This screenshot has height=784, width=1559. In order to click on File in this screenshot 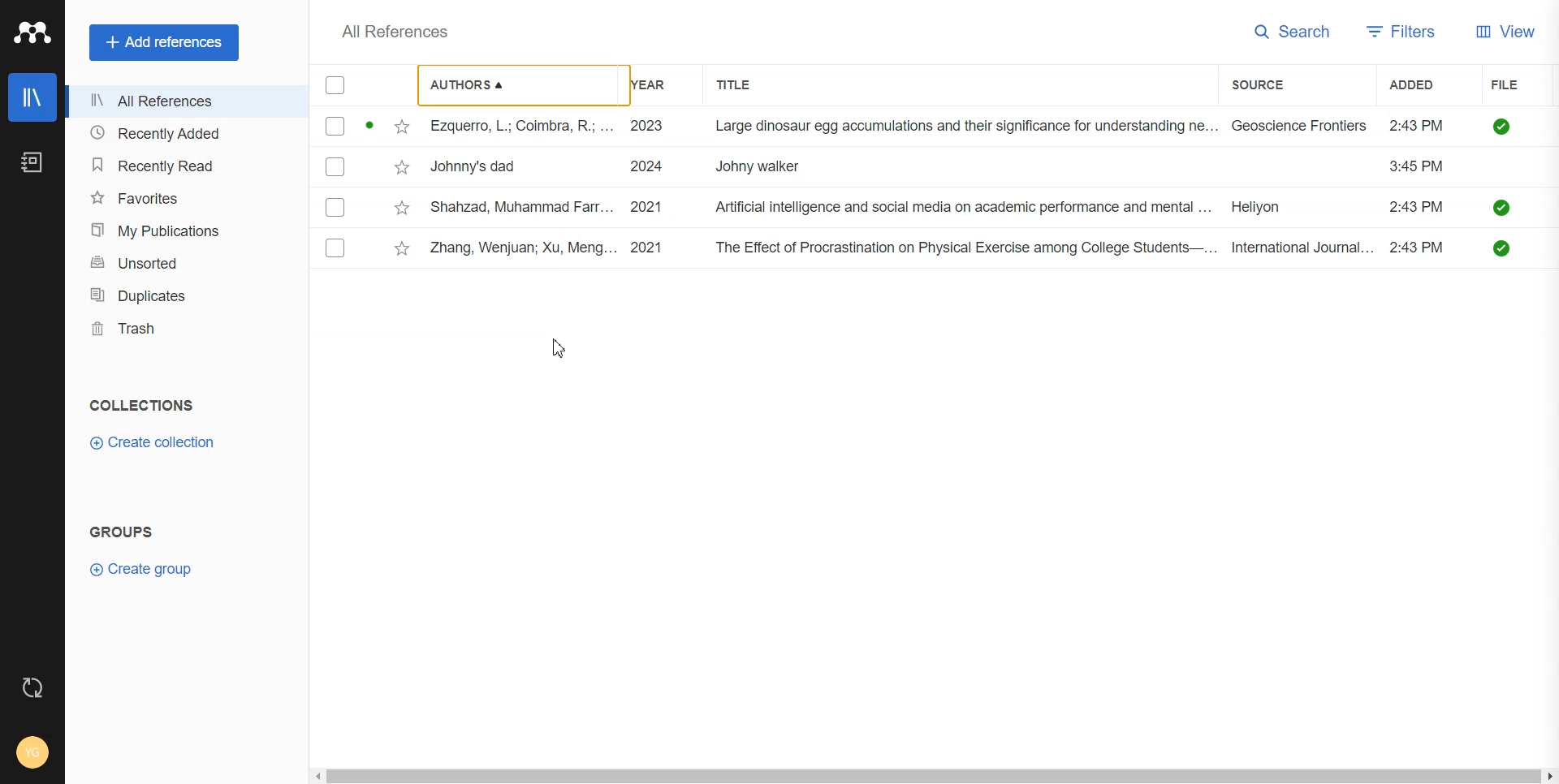, I will do `click(1520, 84)`.